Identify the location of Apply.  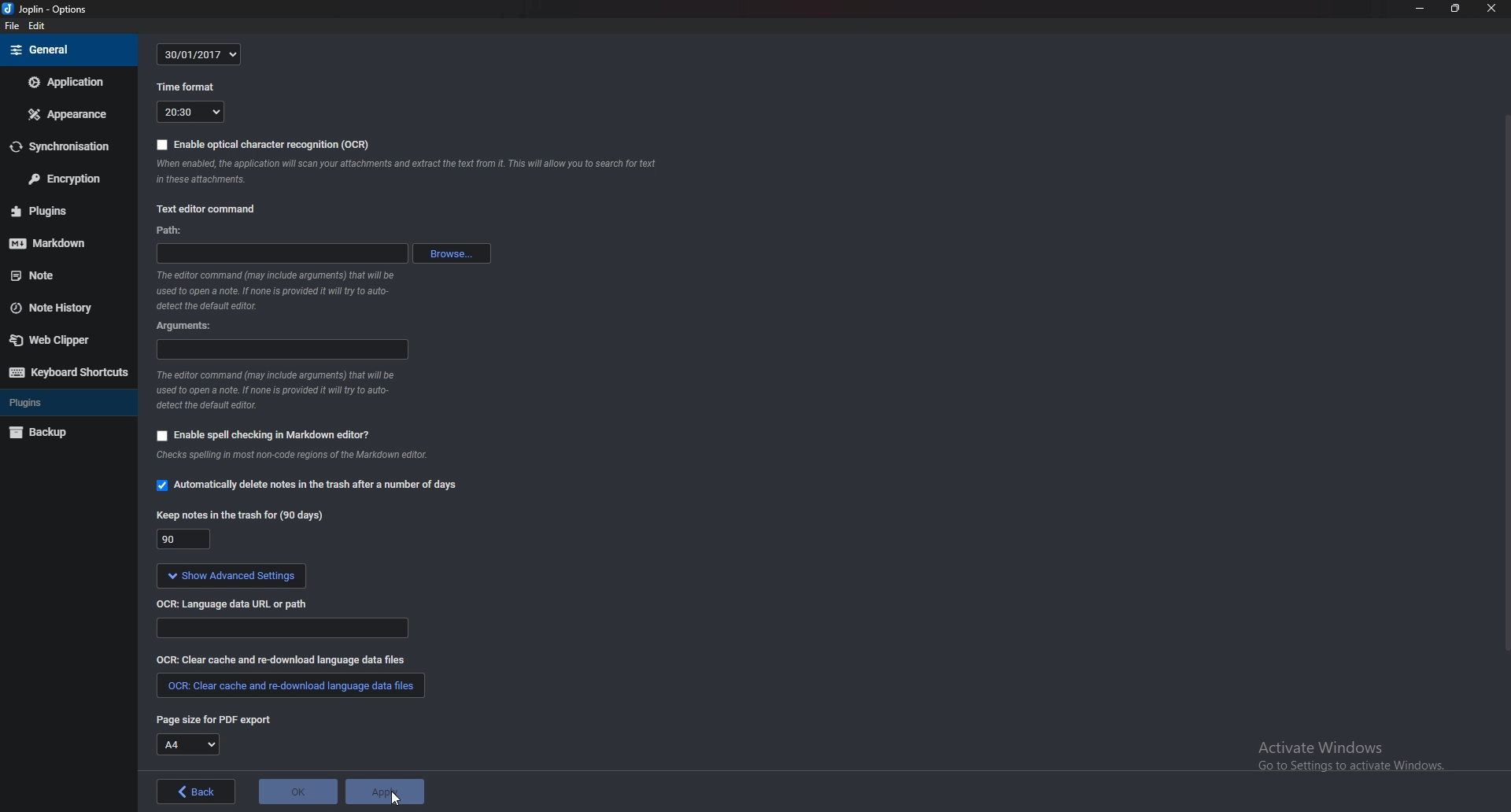
(386, 791).